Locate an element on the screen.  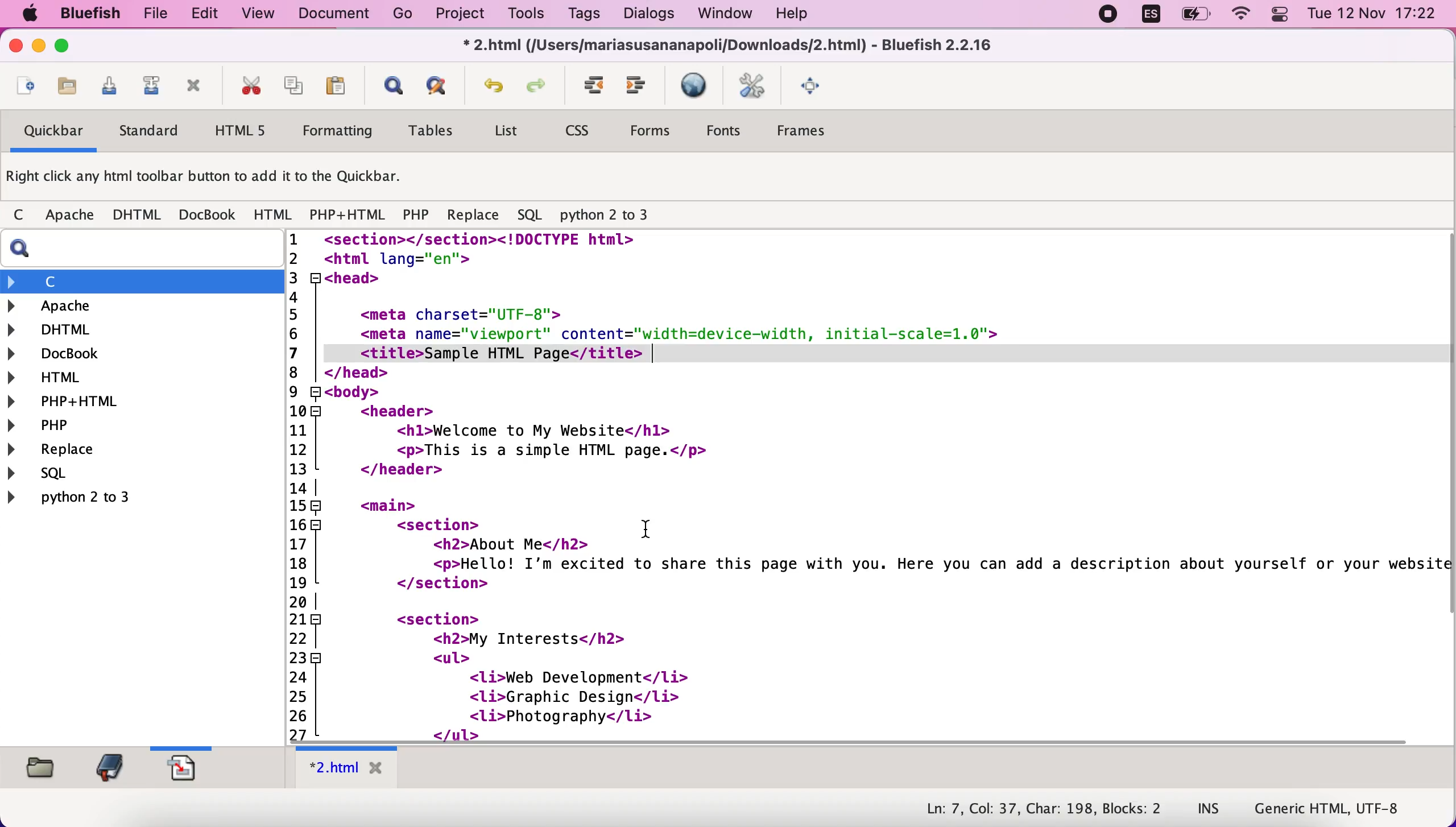
python 2 to 3 is located at coordinates (611, 214).